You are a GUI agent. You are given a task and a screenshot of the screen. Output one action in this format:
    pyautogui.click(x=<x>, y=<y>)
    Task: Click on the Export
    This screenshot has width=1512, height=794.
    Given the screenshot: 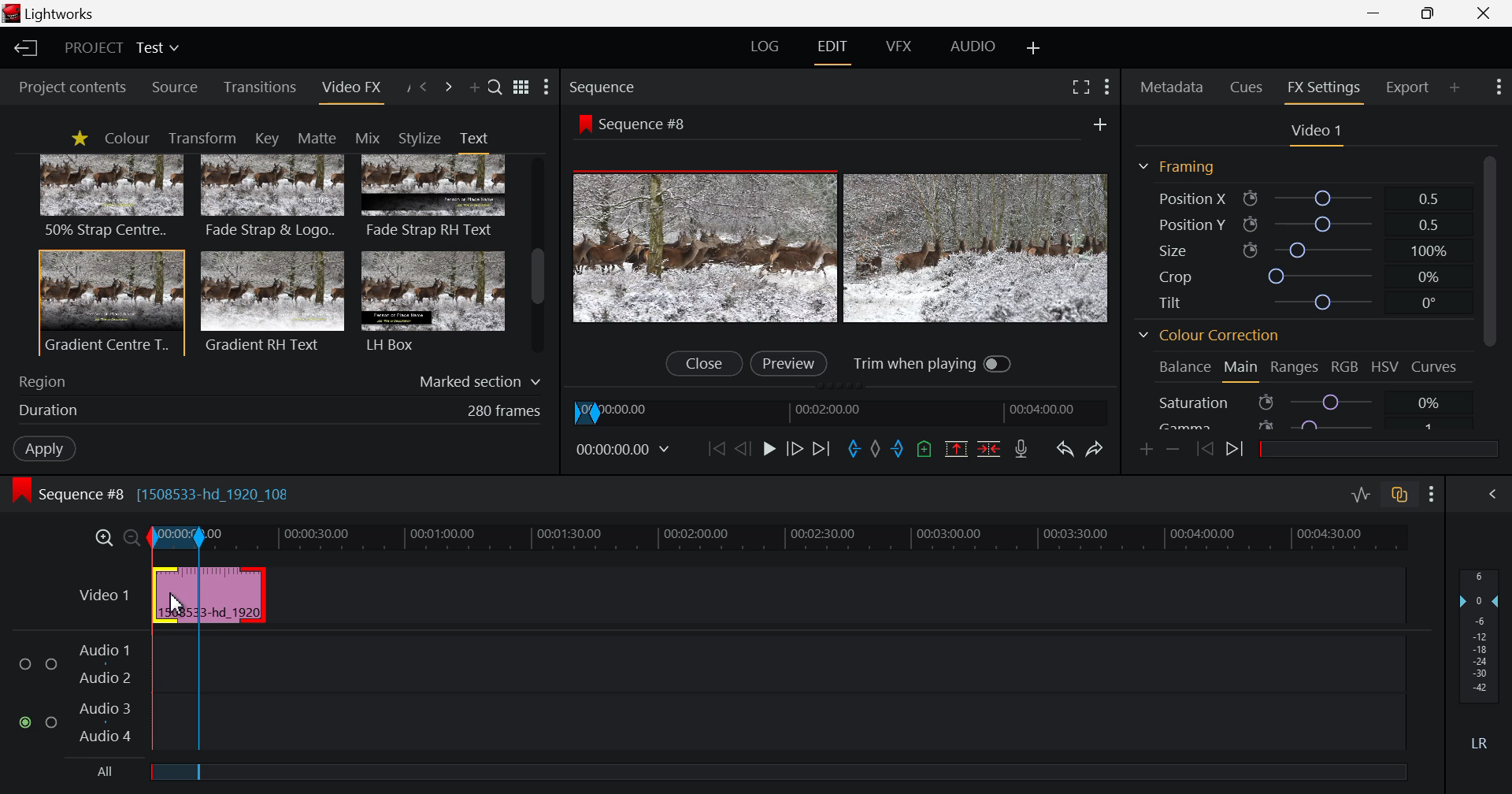 What is the action you would take?
    pyautogui.click(x=1408, y=85)
    